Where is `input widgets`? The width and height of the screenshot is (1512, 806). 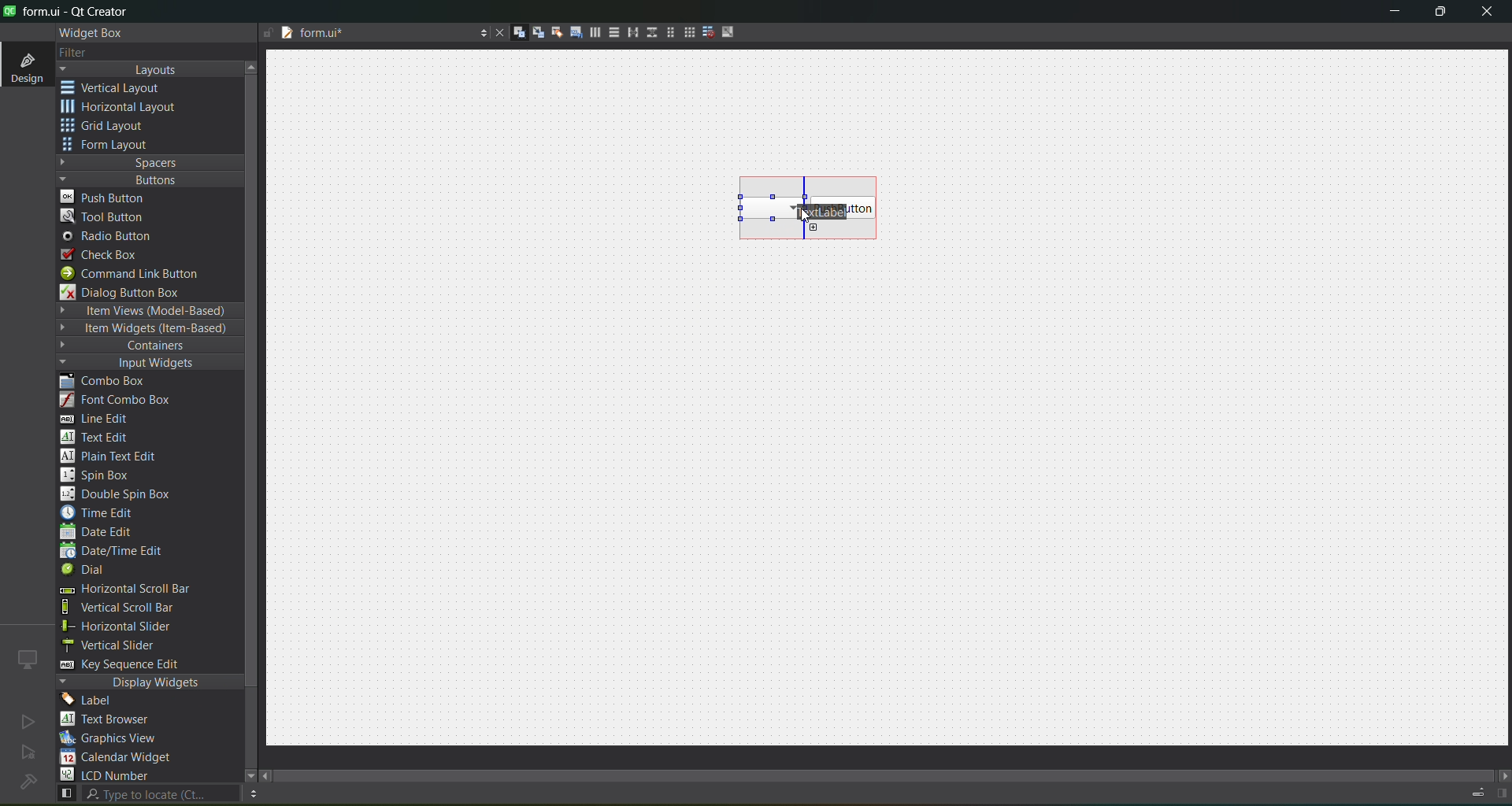 input widgets is located at coordinates (142, 364).